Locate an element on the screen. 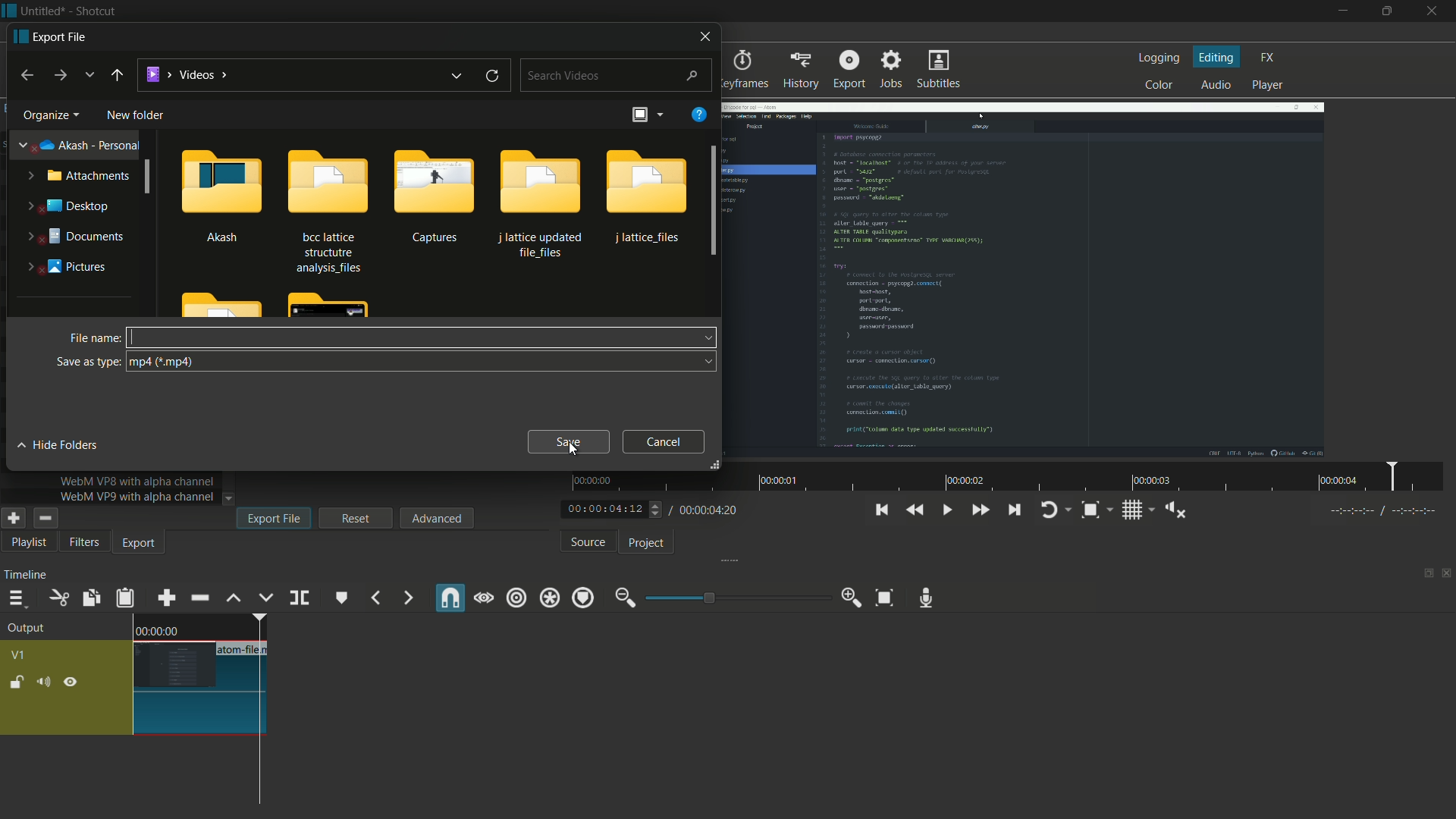 Image resolution: width=1456 pixels, height=819 pixels. time is located at coordinates (1012, 477).